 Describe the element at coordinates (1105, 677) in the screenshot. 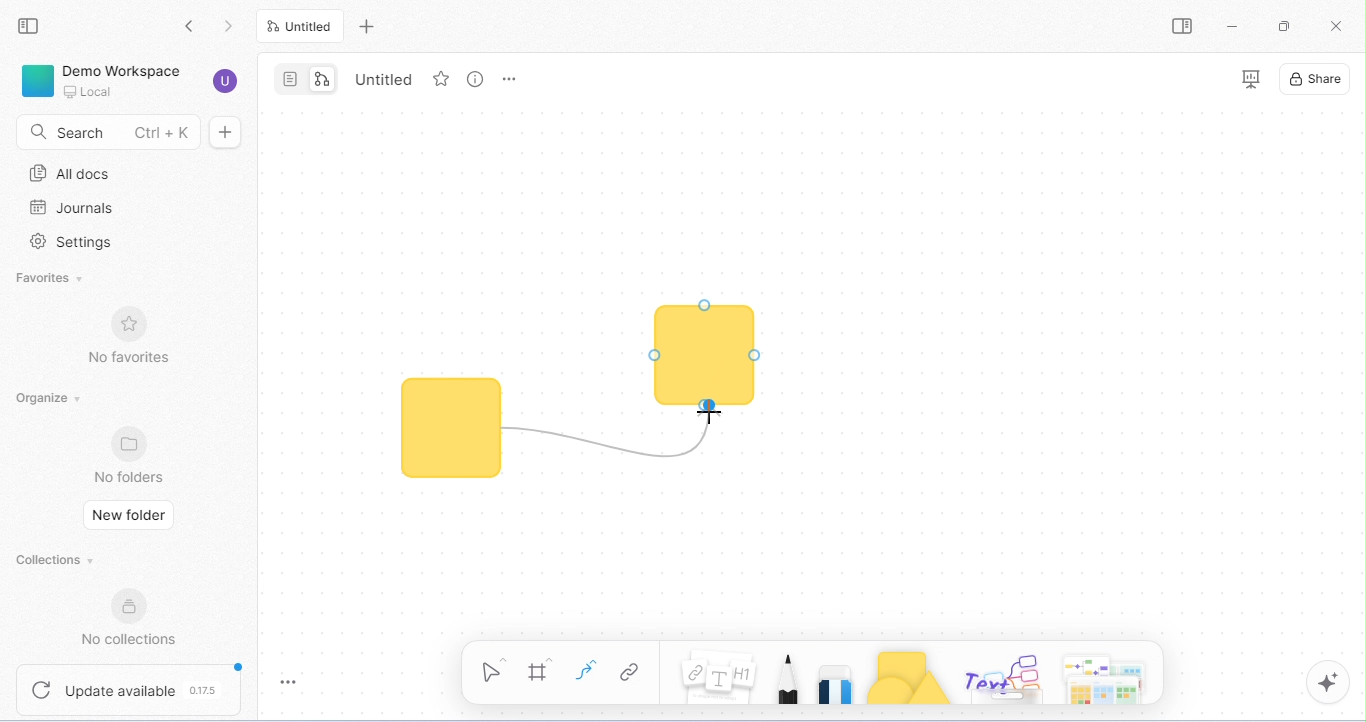

I see `arrows and more` at that location.